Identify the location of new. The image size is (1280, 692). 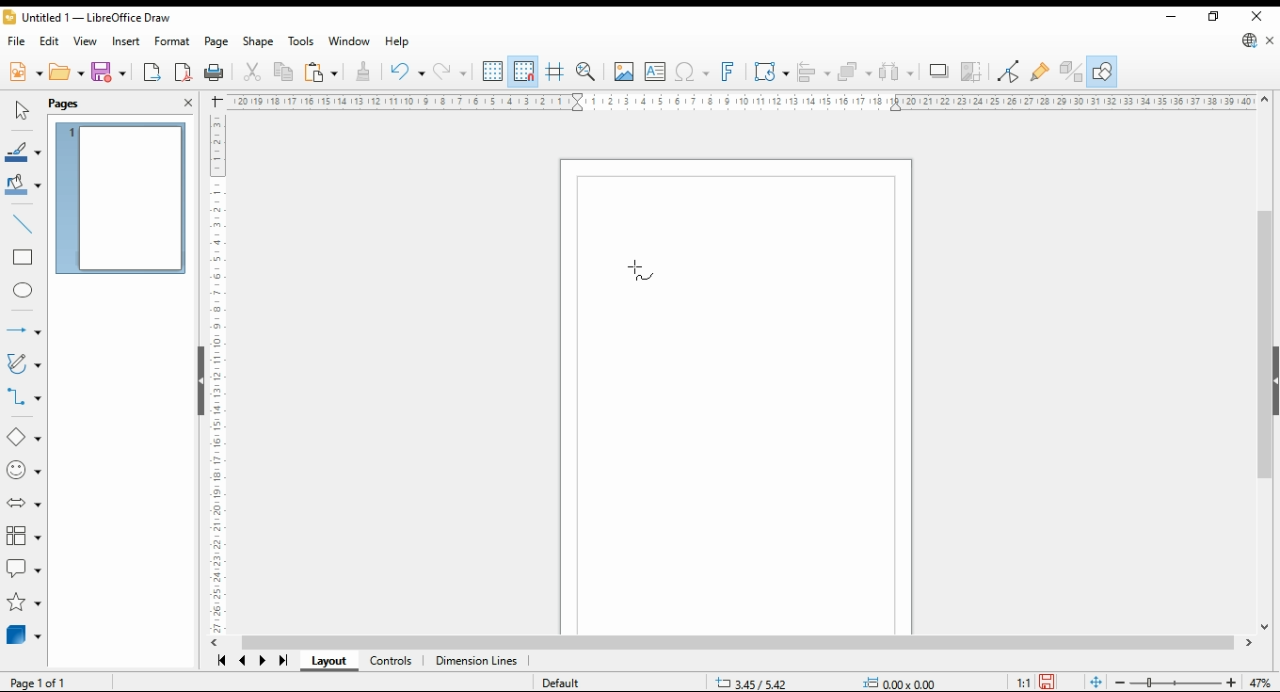
(25, 73).